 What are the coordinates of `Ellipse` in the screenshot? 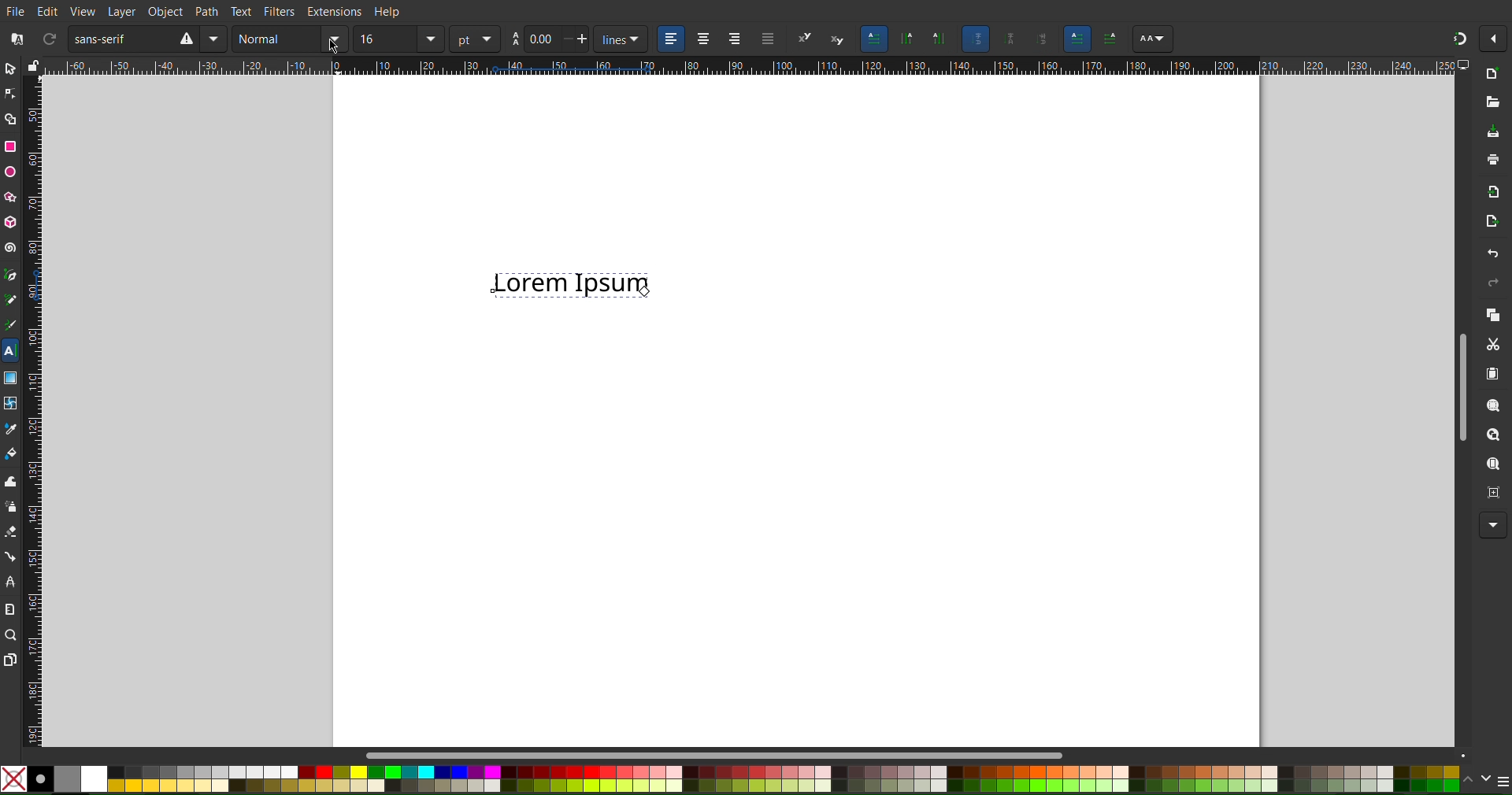 It's located at (10, 172).